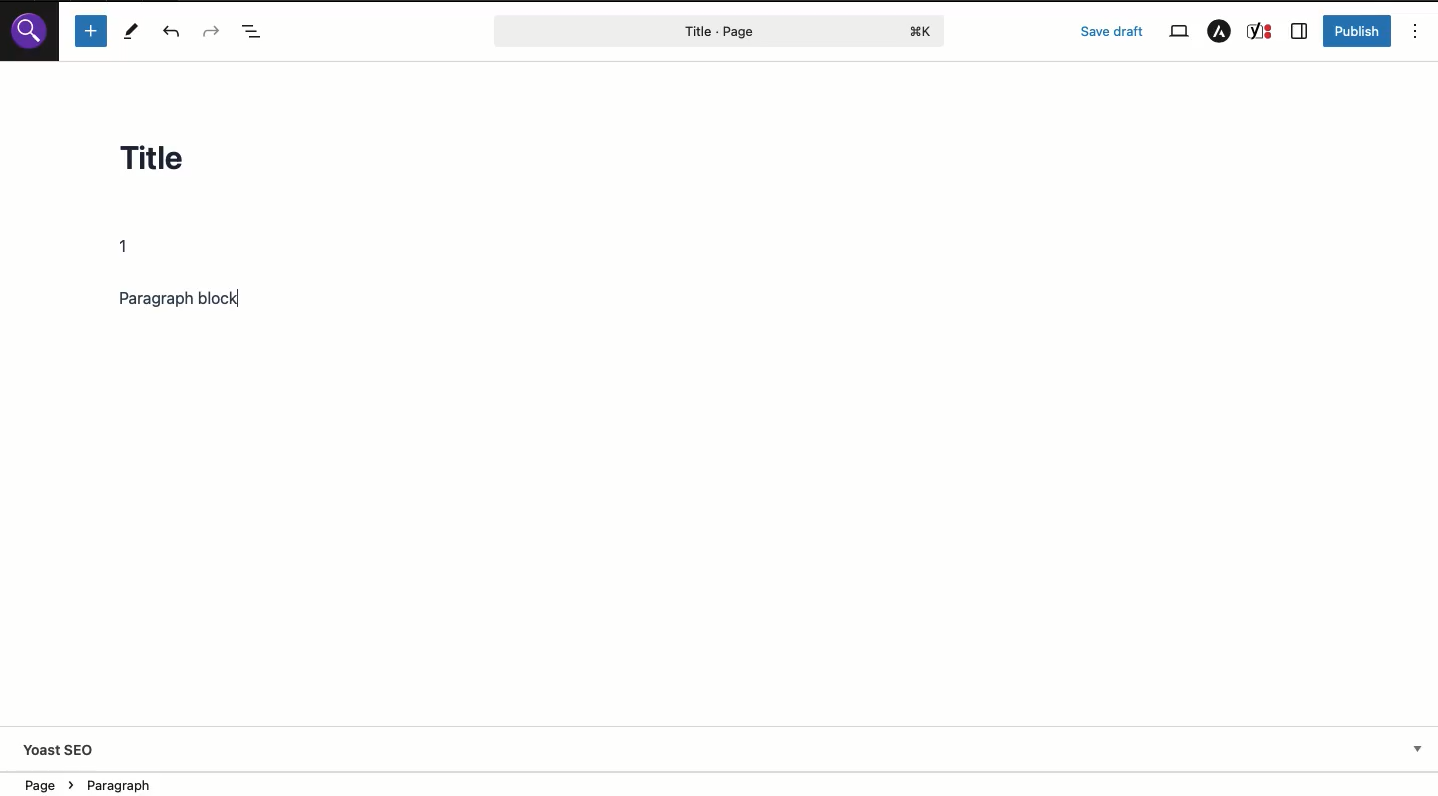 The image size is (1438, 796). I want to click on Publish, so click(1359, 31).